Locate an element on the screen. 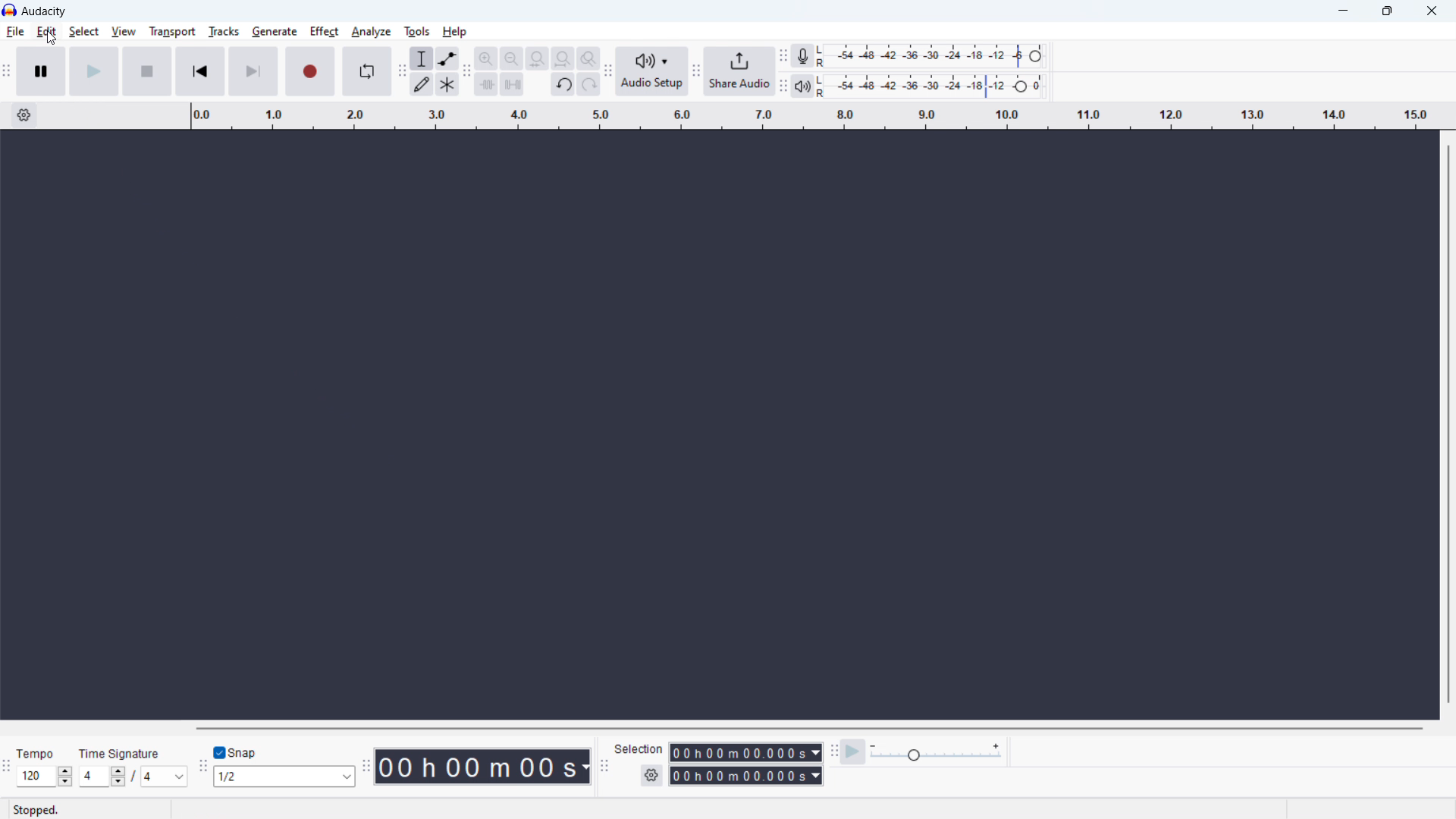 This screenshot has height=819, width=1456. play is located at coordinates (95, 72).